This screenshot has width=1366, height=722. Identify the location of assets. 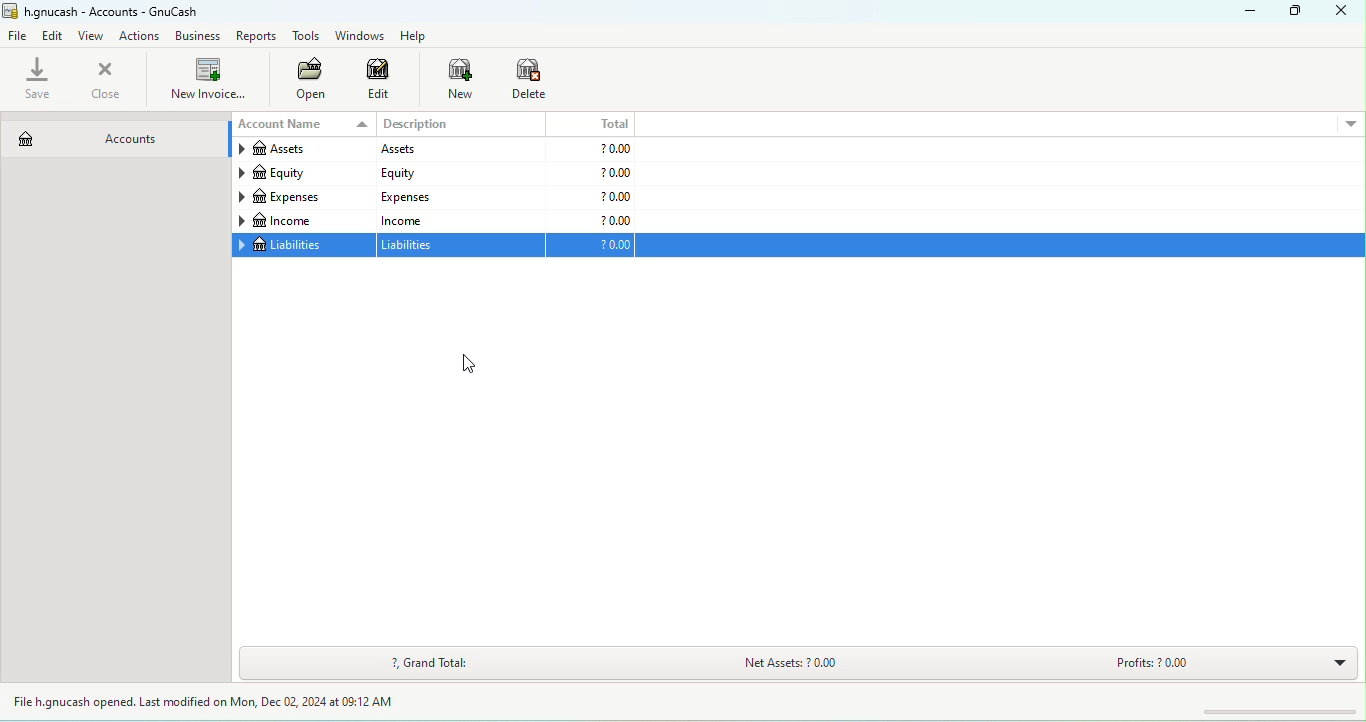
(300, 151).